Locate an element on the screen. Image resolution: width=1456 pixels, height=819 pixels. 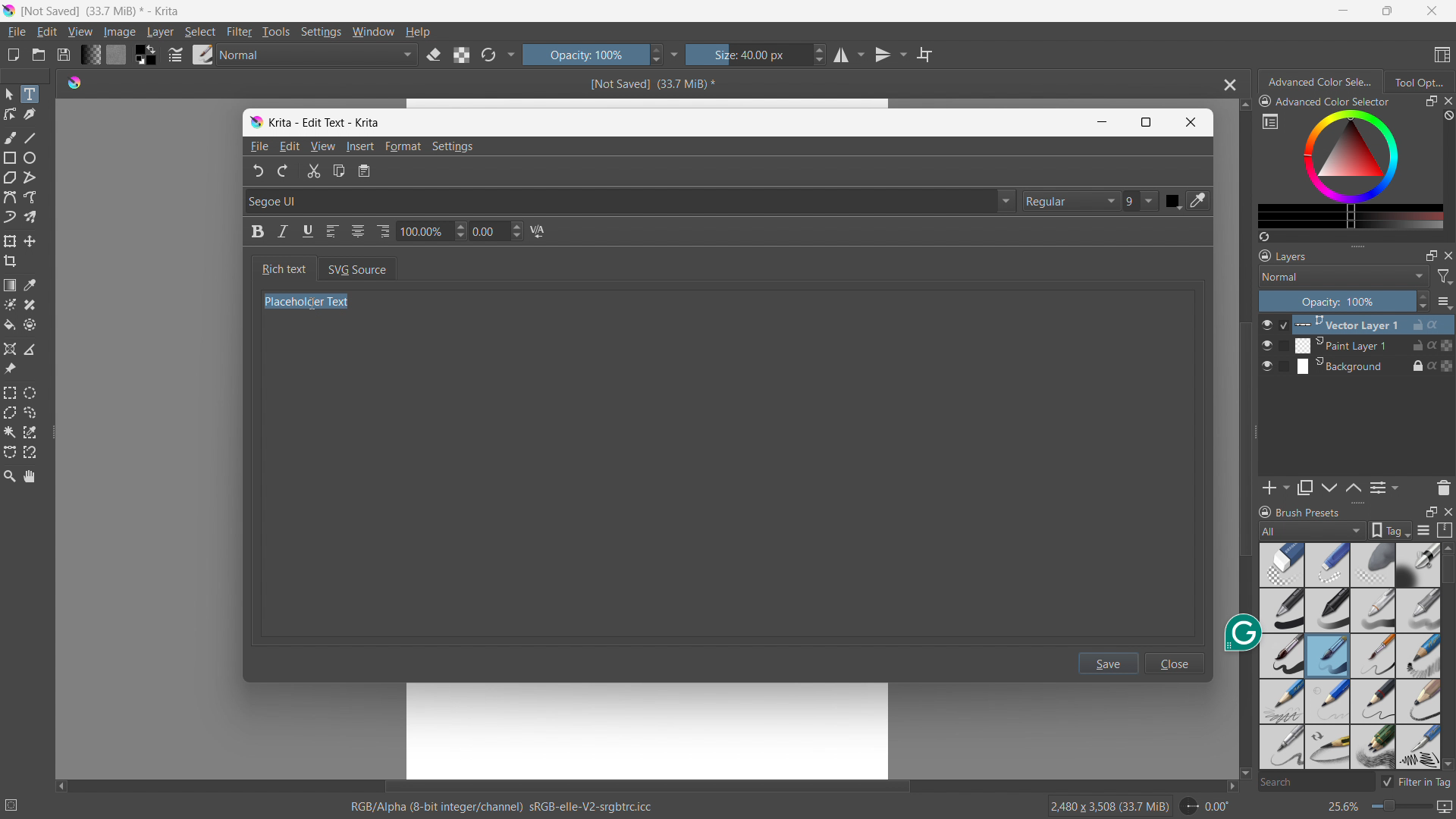
options is located at coordinates (1444, 302).